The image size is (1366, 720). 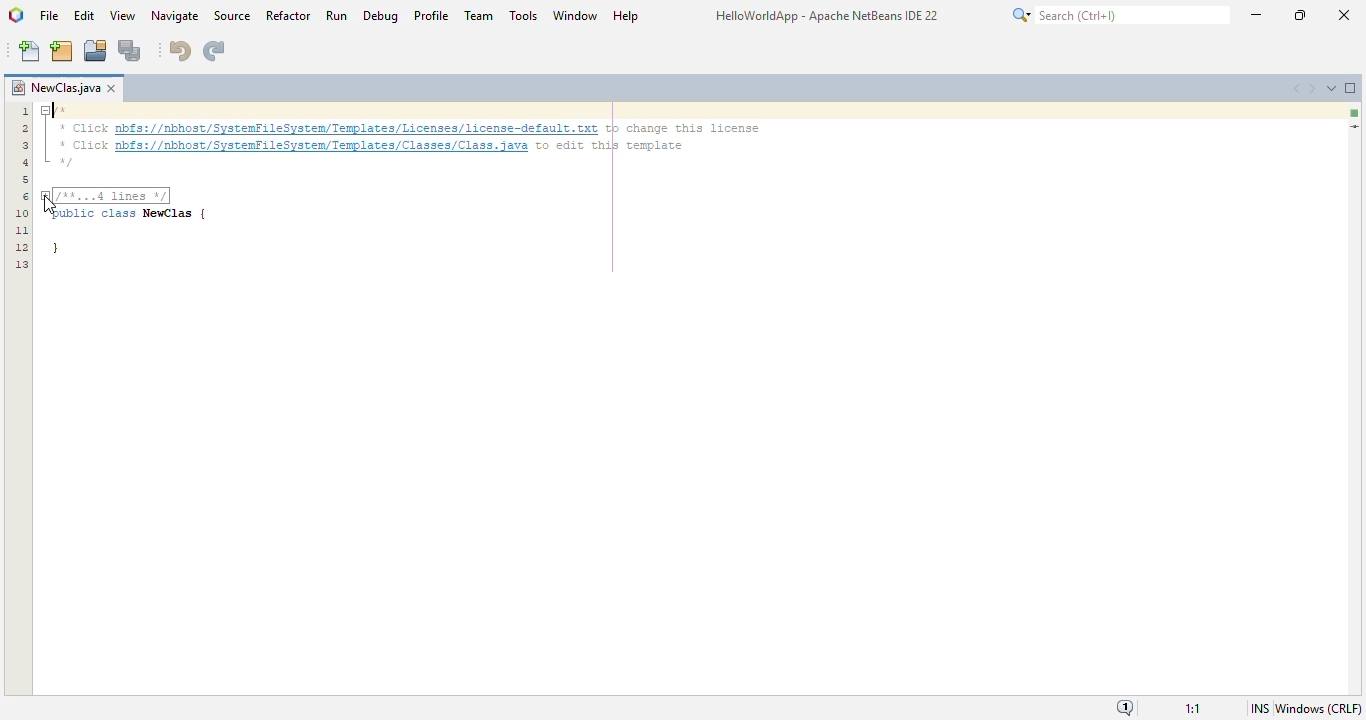 What do you see at coordinates (1124, 708) in the screenshot?
I see `notifications` at bounding box center [1124, 708].